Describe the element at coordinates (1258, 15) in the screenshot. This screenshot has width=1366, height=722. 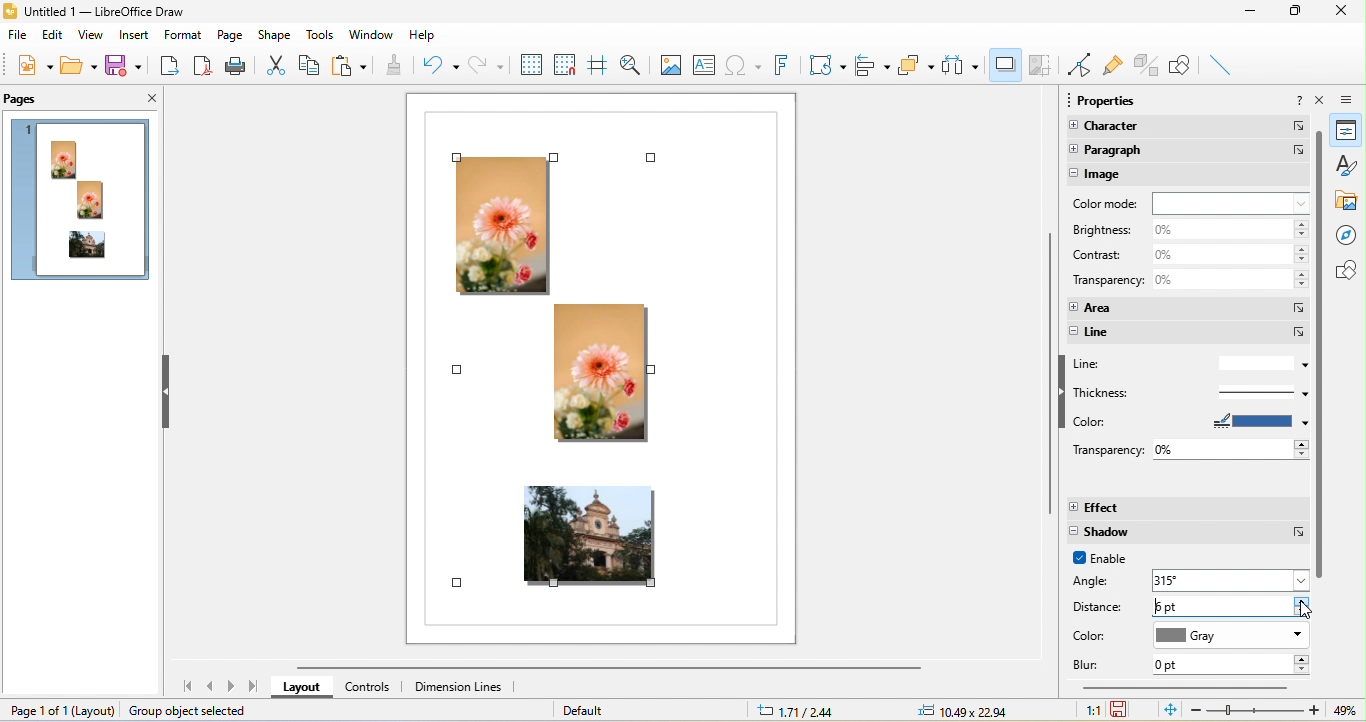
I see `minimize` at that location.